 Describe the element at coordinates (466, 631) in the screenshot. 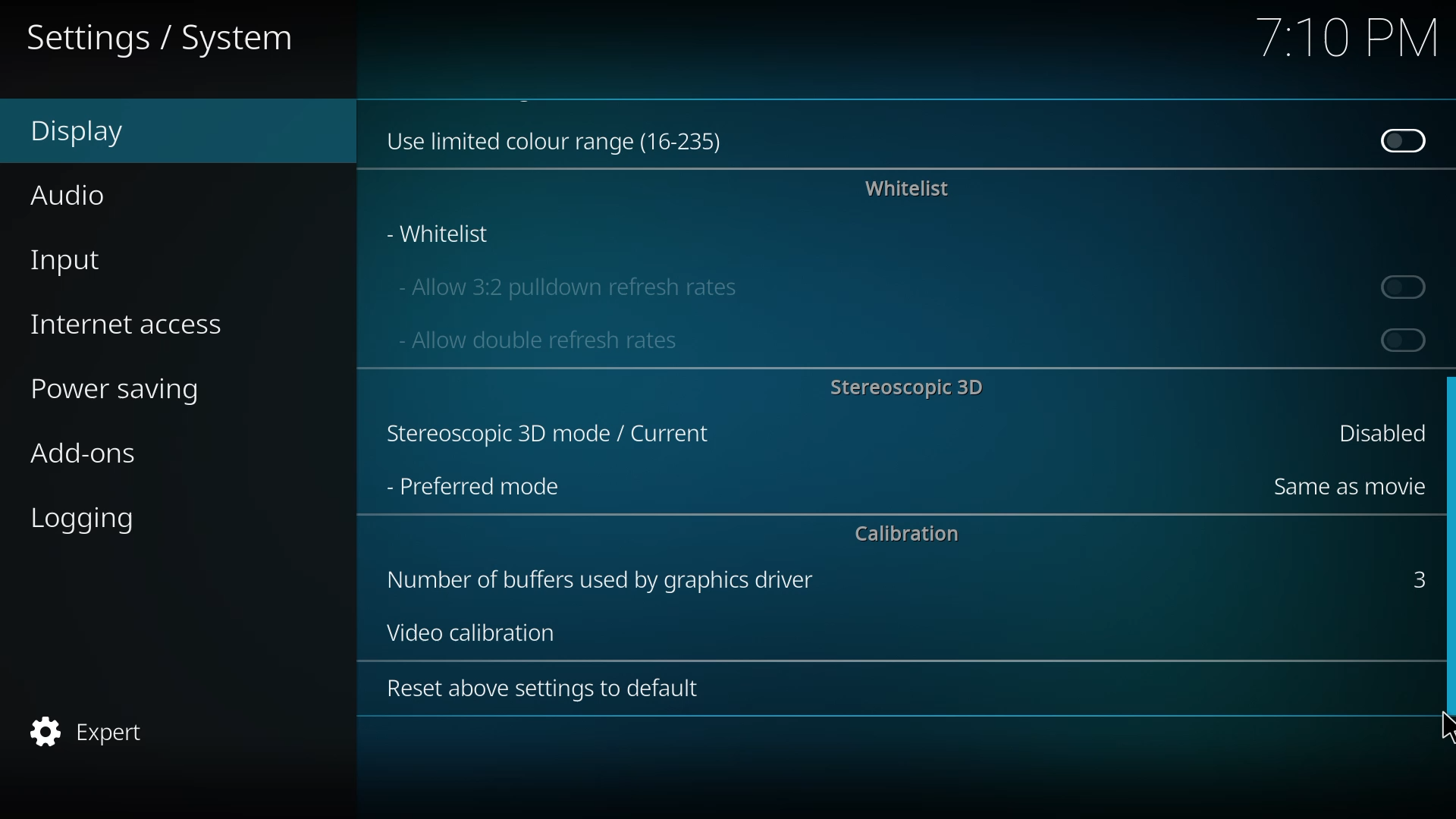

I see `video calibration` at that location.